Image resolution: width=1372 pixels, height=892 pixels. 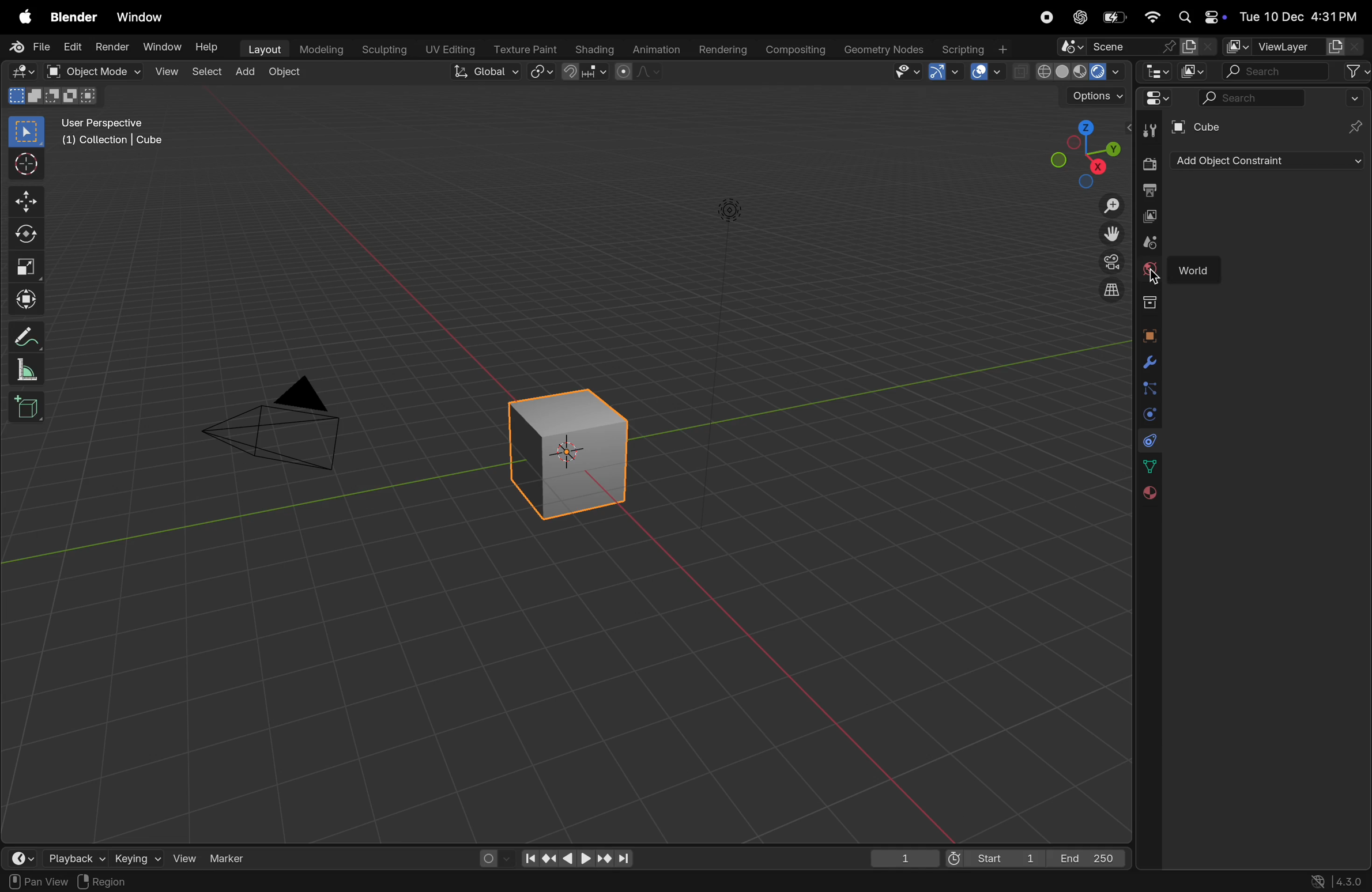 What do you see at coordinates (71, 856) in the screenshot?
I see `playback` at bounding box center [71, 856].